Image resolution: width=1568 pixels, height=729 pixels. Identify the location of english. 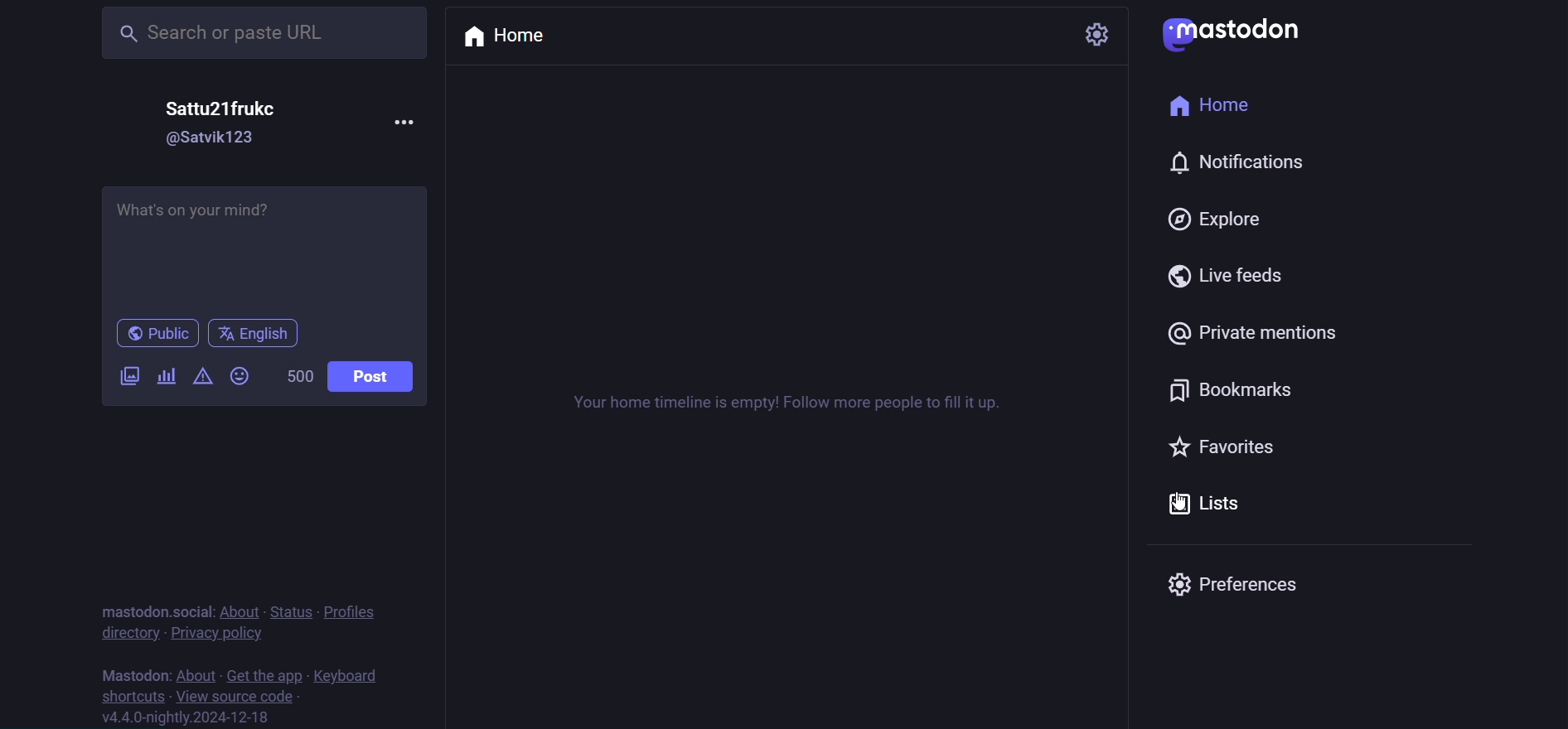
(254, 331).